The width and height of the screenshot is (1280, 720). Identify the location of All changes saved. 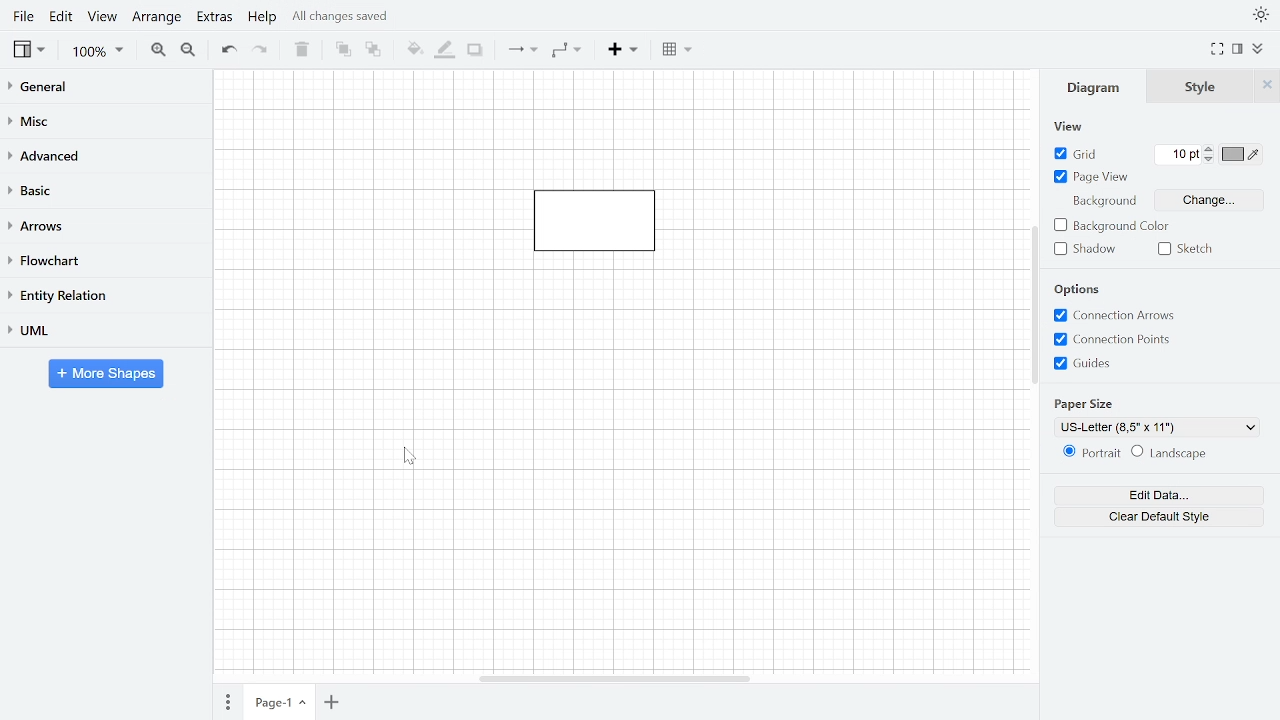
(352, 19).